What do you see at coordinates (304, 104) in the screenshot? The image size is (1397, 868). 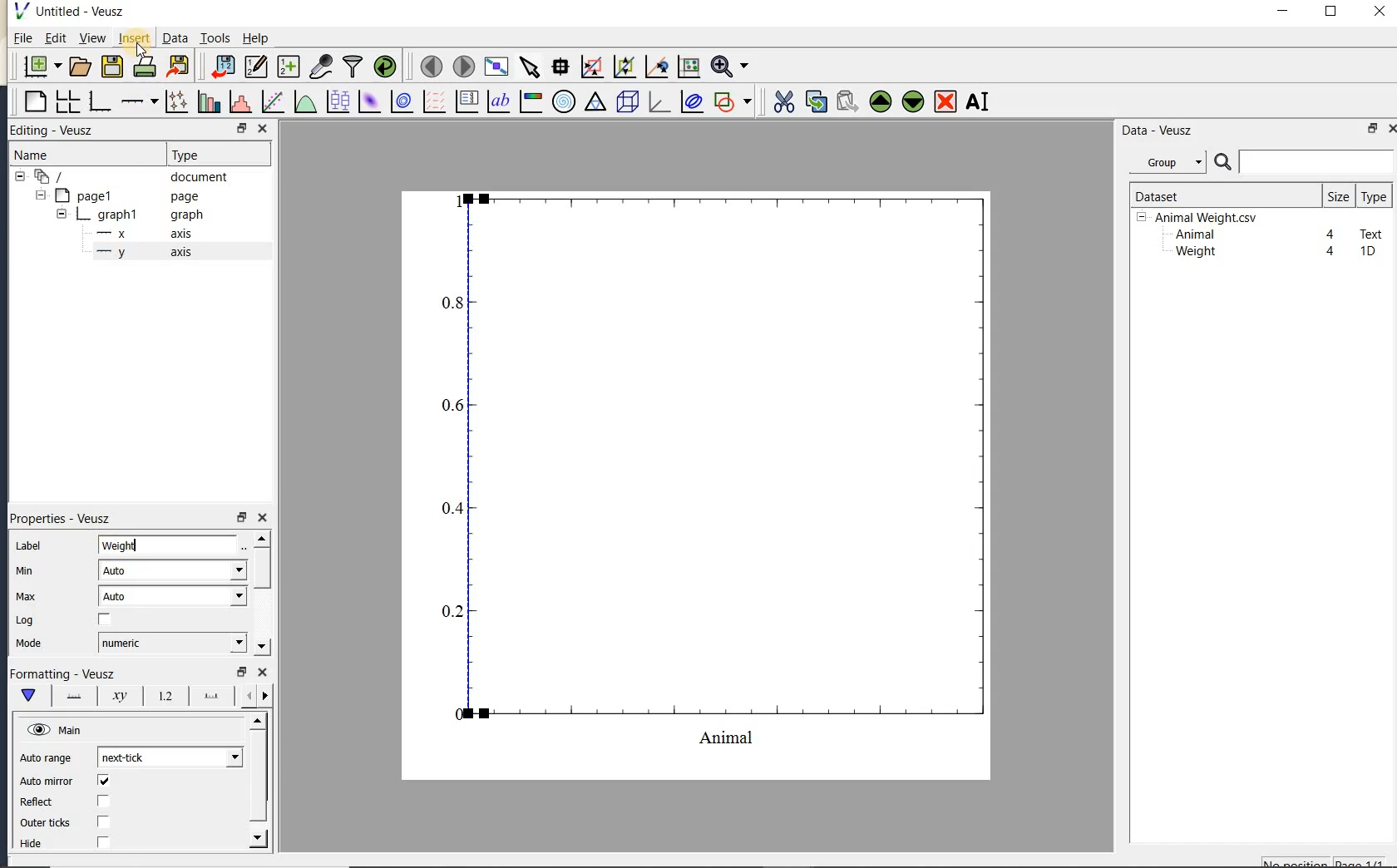 I see `plot a function` at bounding box center [304, 104].